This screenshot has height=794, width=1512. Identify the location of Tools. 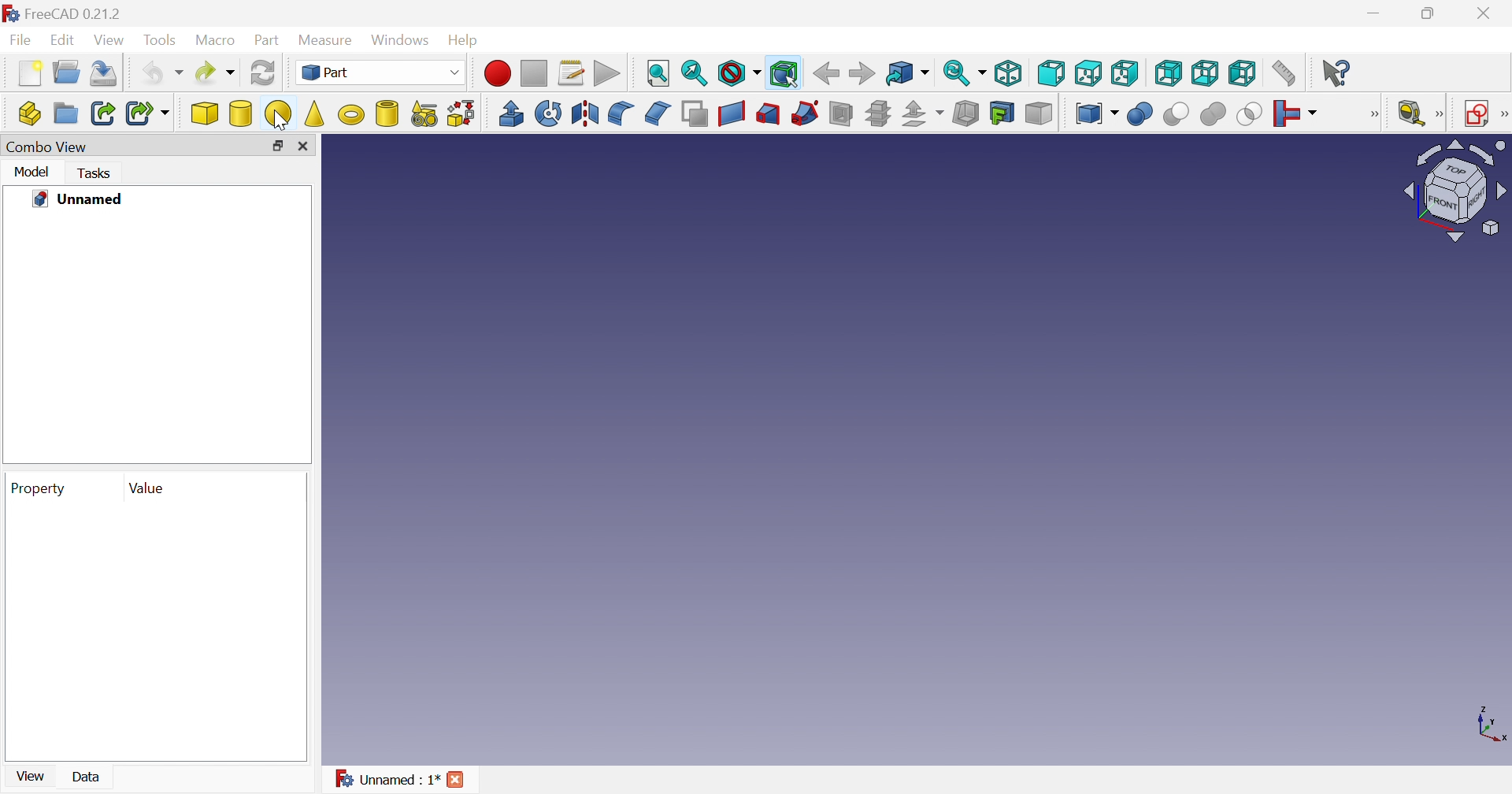
(159, 39).